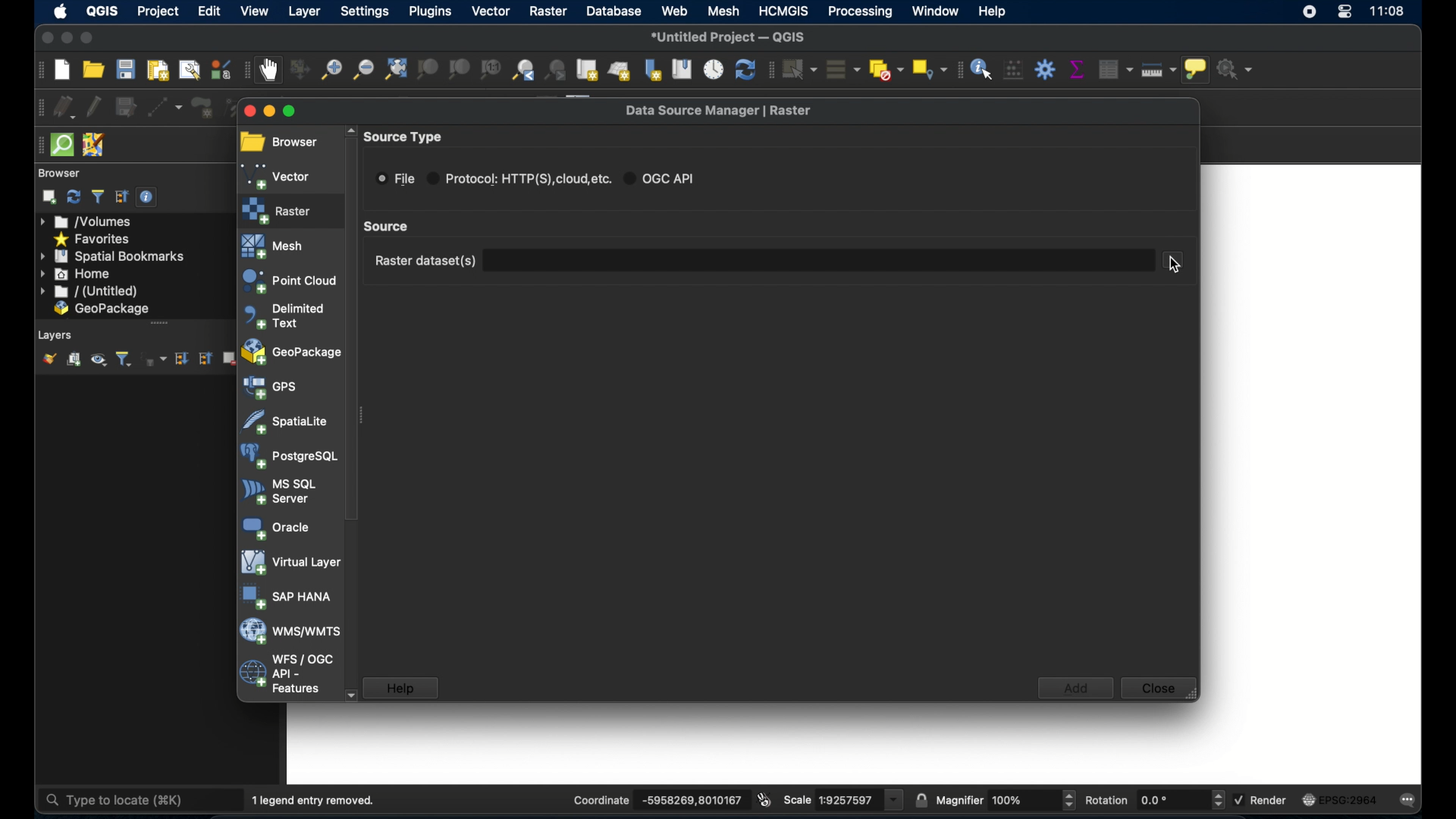 The image size is (1456, 819). What do you see at coordinates (187, 71) in the screenshot?
I see `show layout manager` at bounding box center [187, 71].